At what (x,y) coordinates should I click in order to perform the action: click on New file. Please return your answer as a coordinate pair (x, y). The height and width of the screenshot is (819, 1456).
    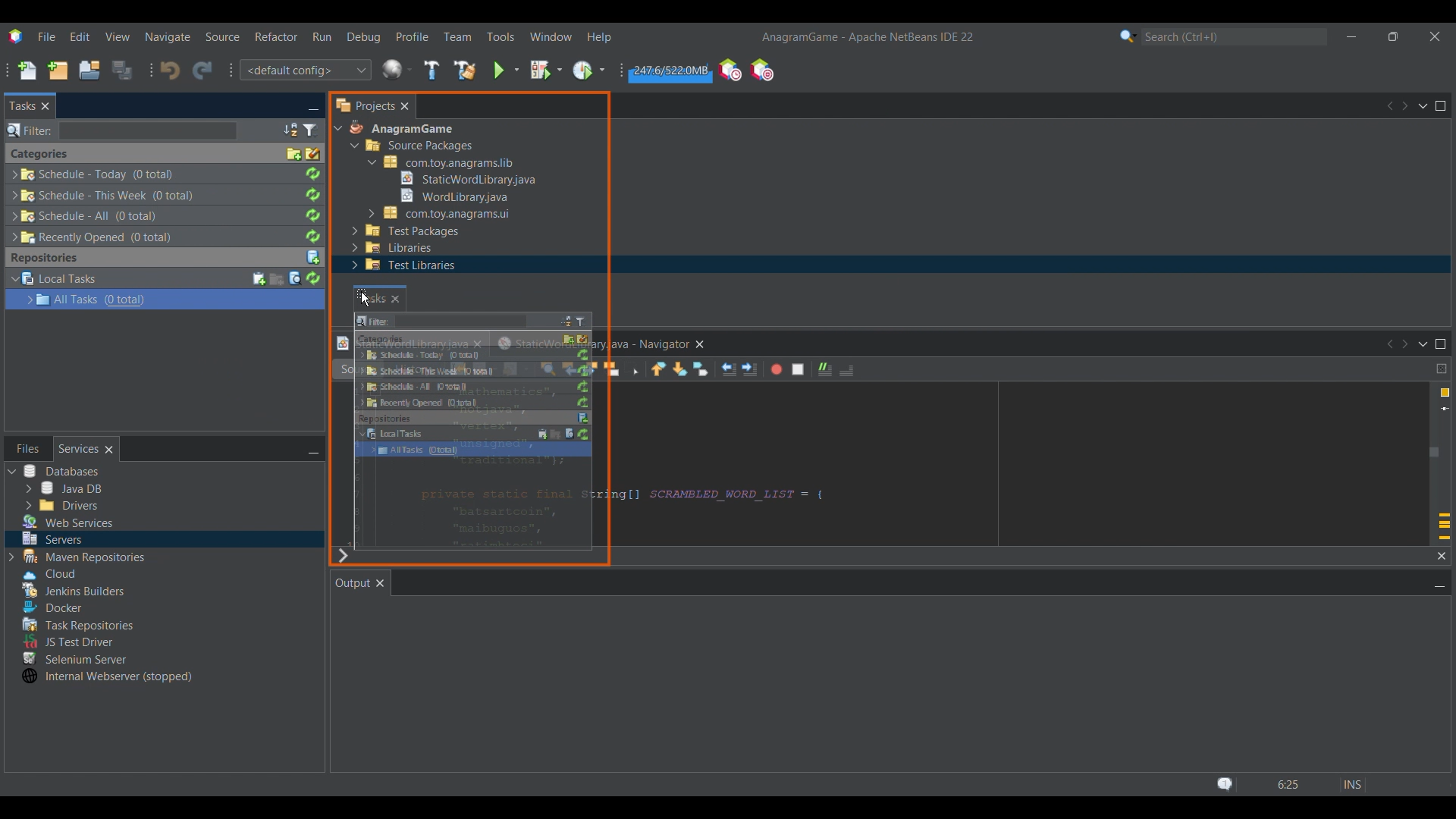
    Looking at the image, I should click on (27, 71).